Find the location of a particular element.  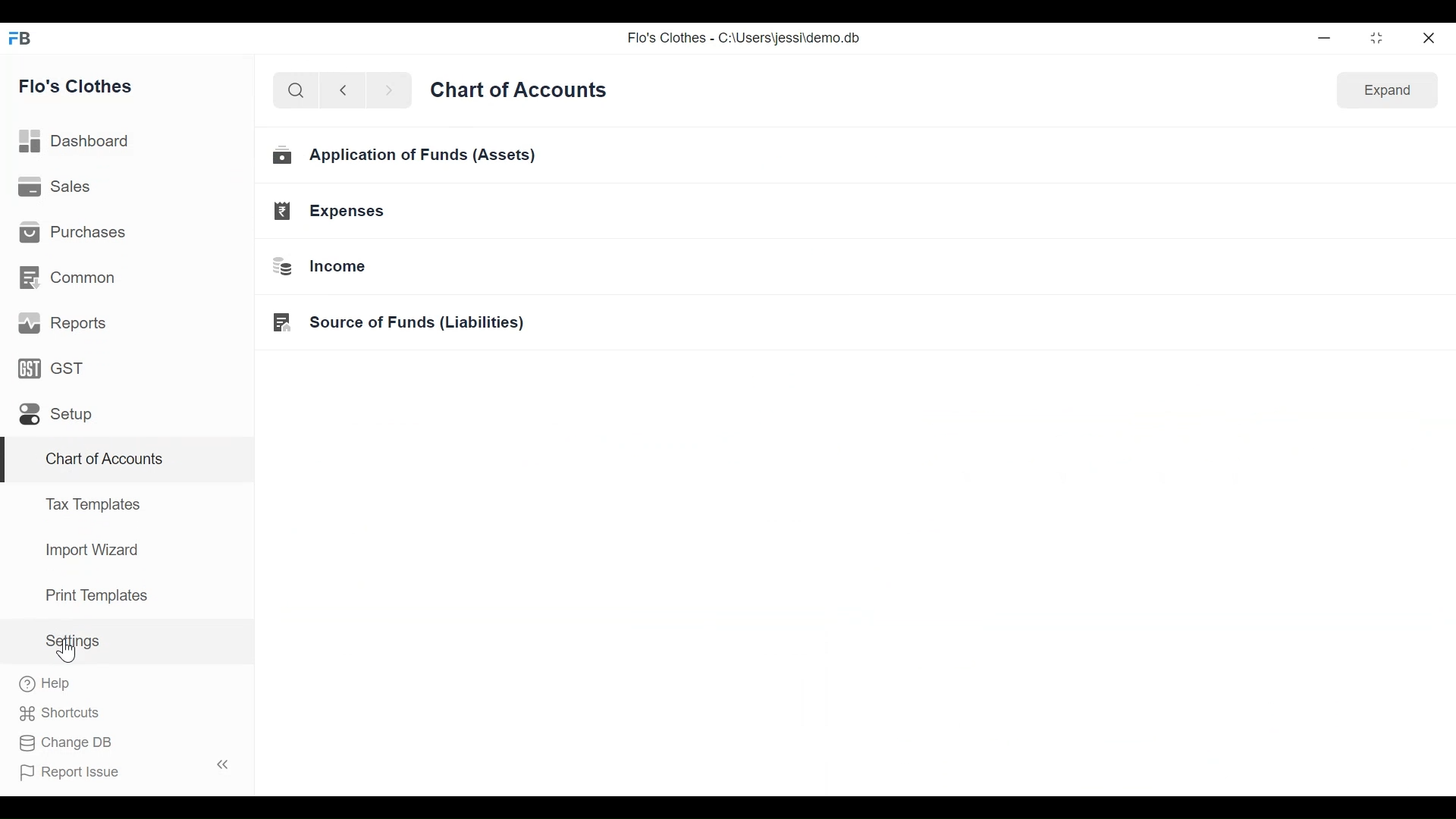

expenses is located at coordinates (329, 211).